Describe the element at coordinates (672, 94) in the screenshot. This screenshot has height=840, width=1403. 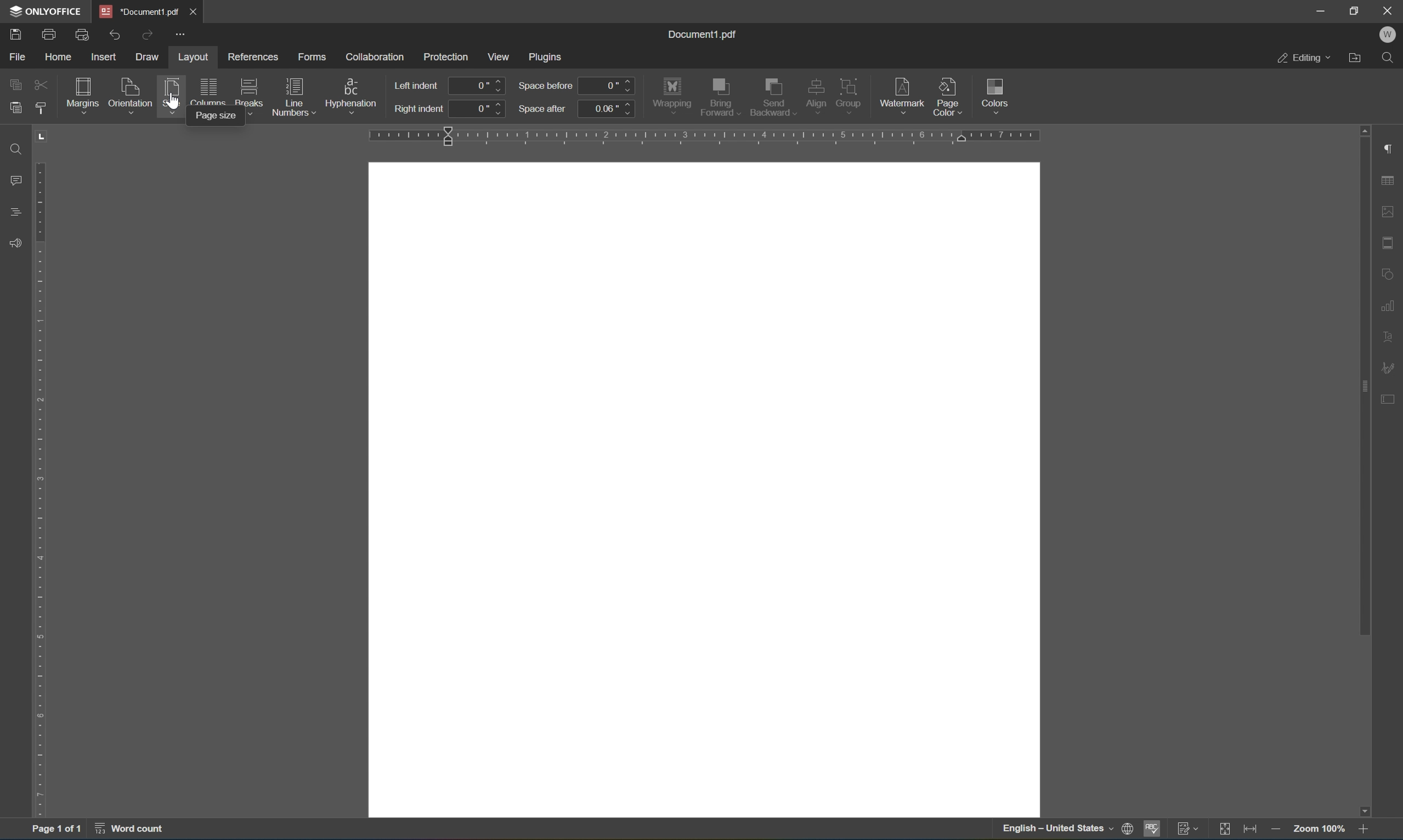
I see `wrapping` at that location.